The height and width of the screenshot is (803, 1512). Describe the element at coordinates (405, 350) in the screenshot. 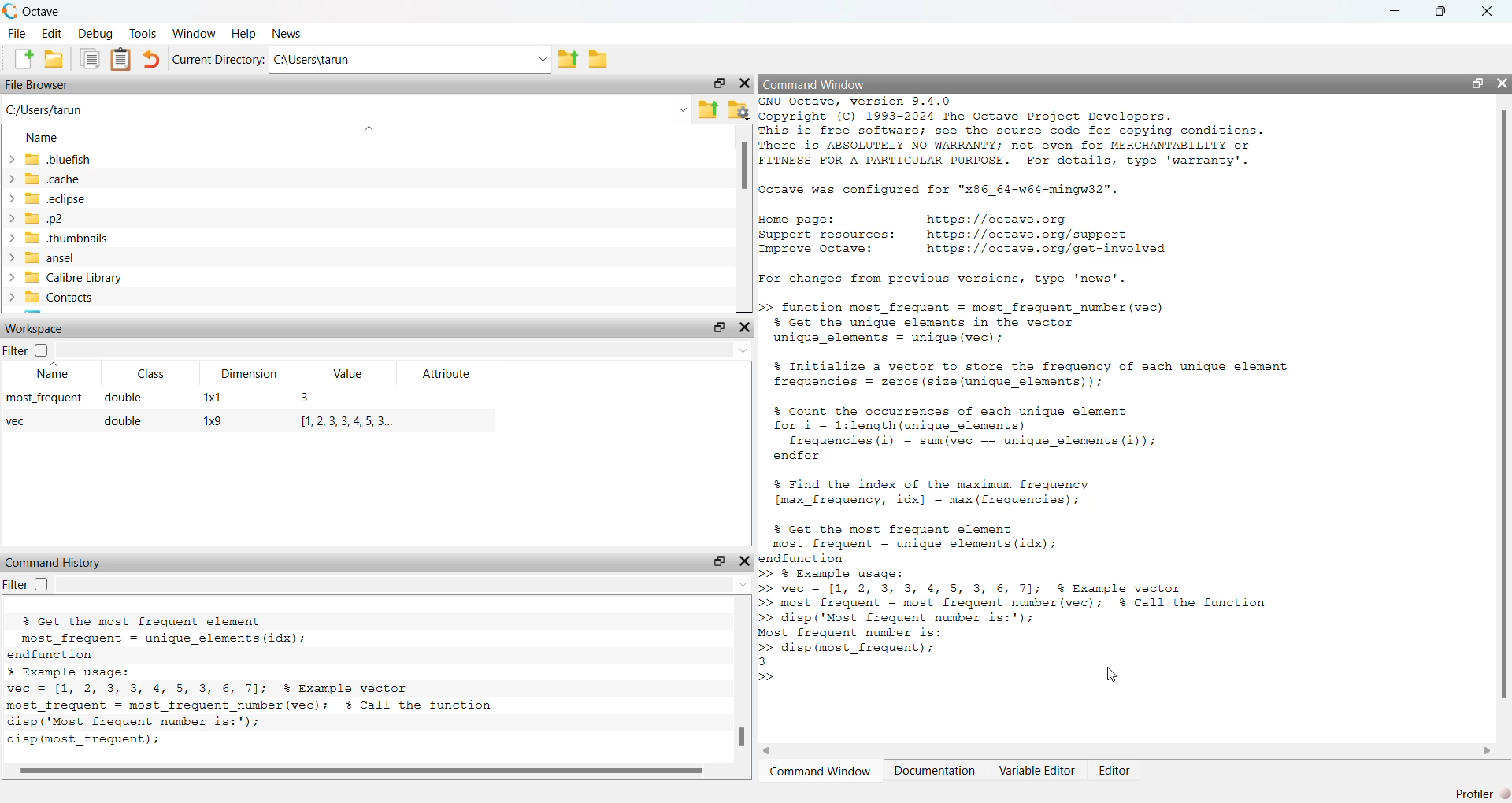

I see `Enter text to filter the workspace` at that location.